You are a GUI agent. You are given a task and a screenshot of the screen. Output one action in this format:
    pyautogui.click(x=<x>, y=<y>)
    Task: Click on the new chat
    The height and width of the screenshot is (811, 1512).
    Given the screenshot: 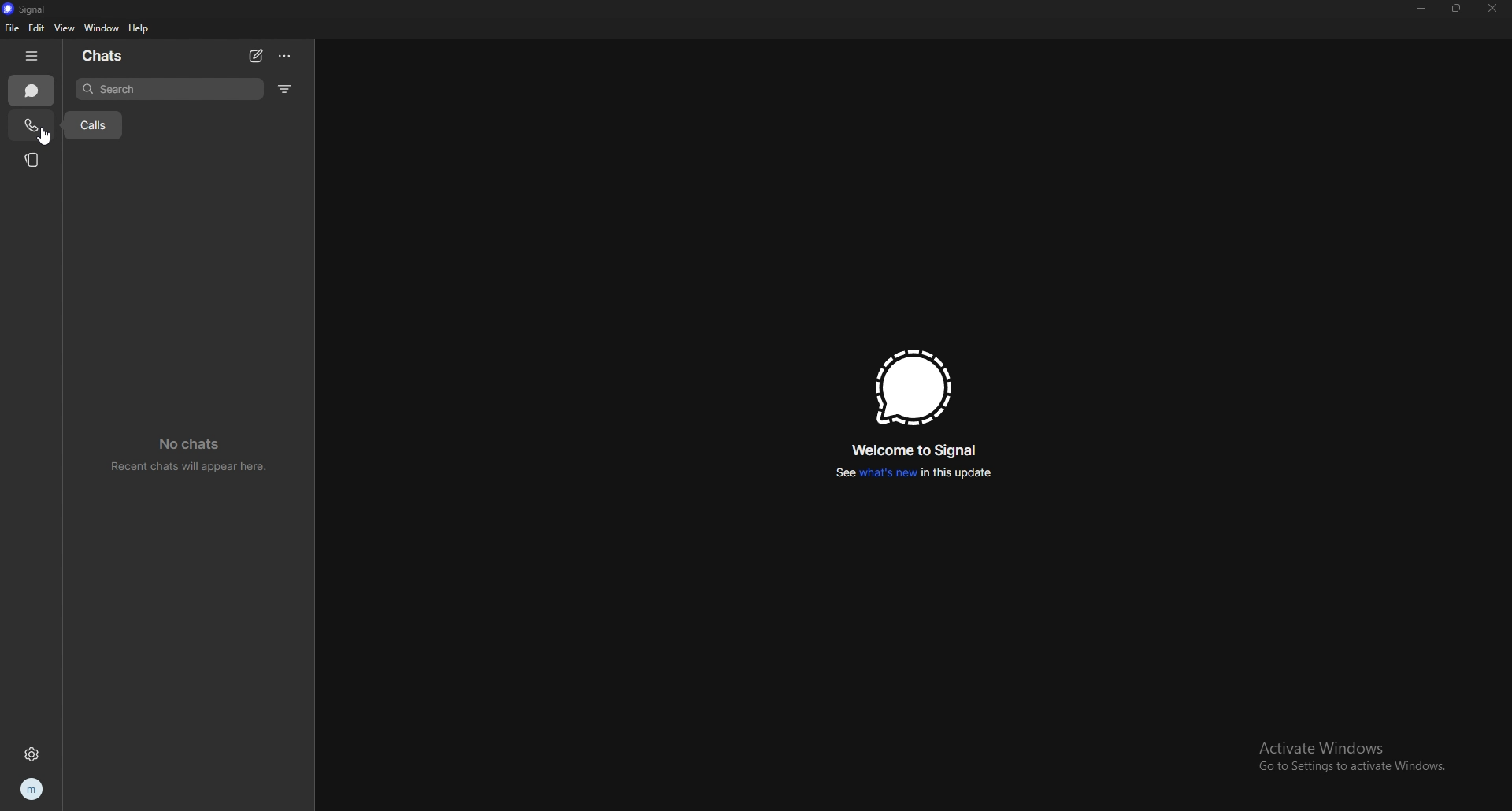 What is the action you would take?
    pyautogui.click(x=256, y=56)
    